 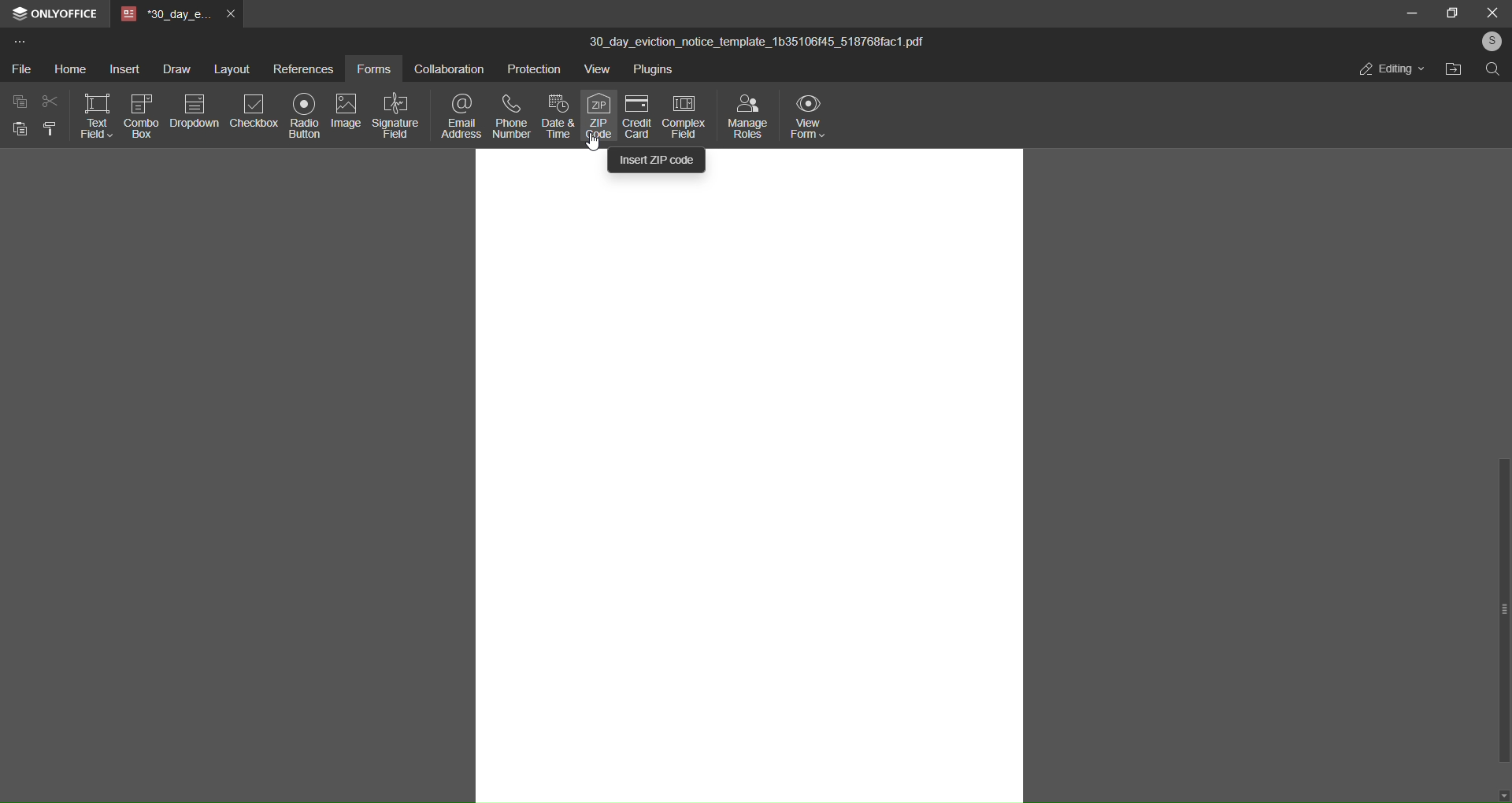 I want to click on close tab, so click(x=235, y=12).